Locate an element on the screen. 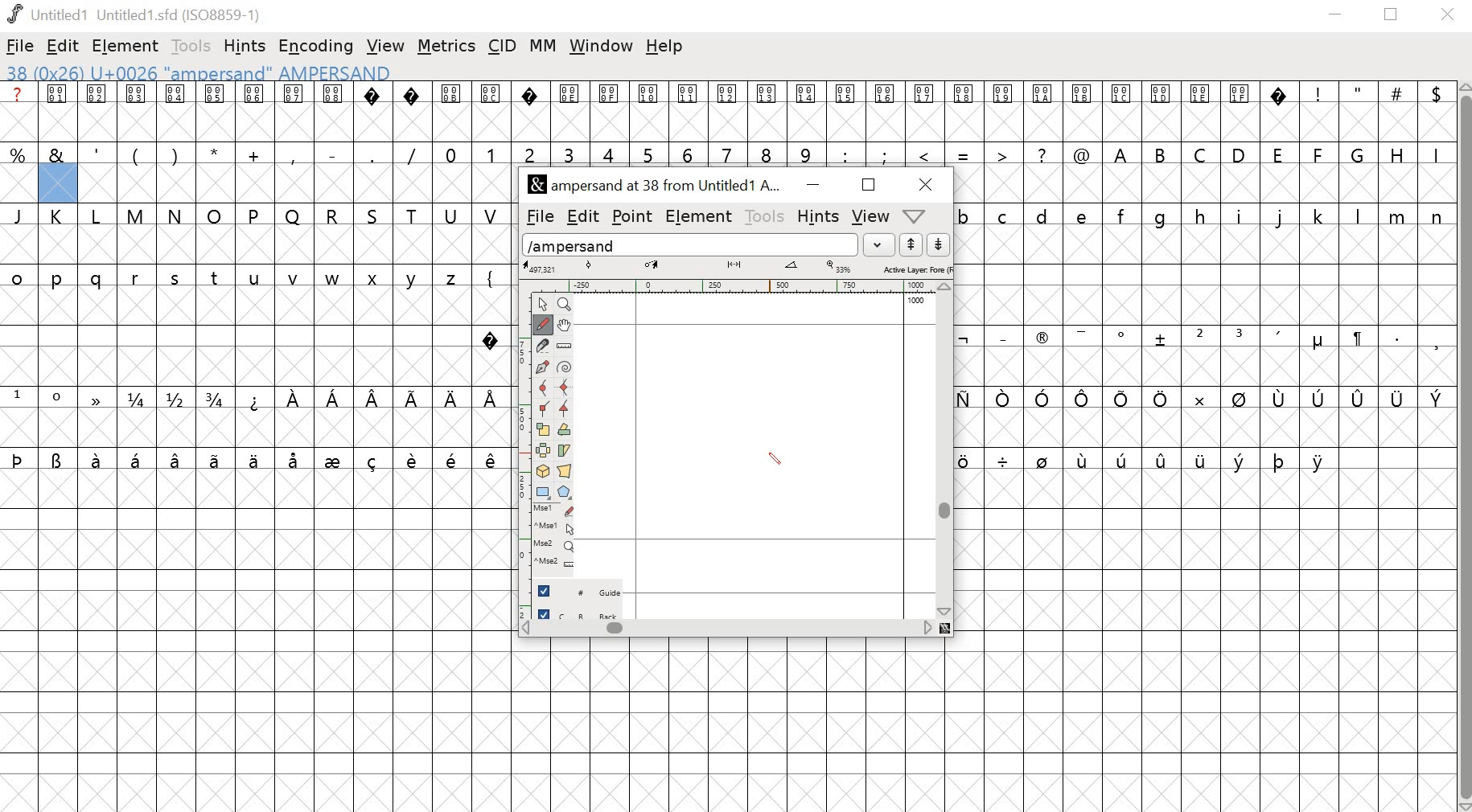  view is located at coordinates (872, 215).